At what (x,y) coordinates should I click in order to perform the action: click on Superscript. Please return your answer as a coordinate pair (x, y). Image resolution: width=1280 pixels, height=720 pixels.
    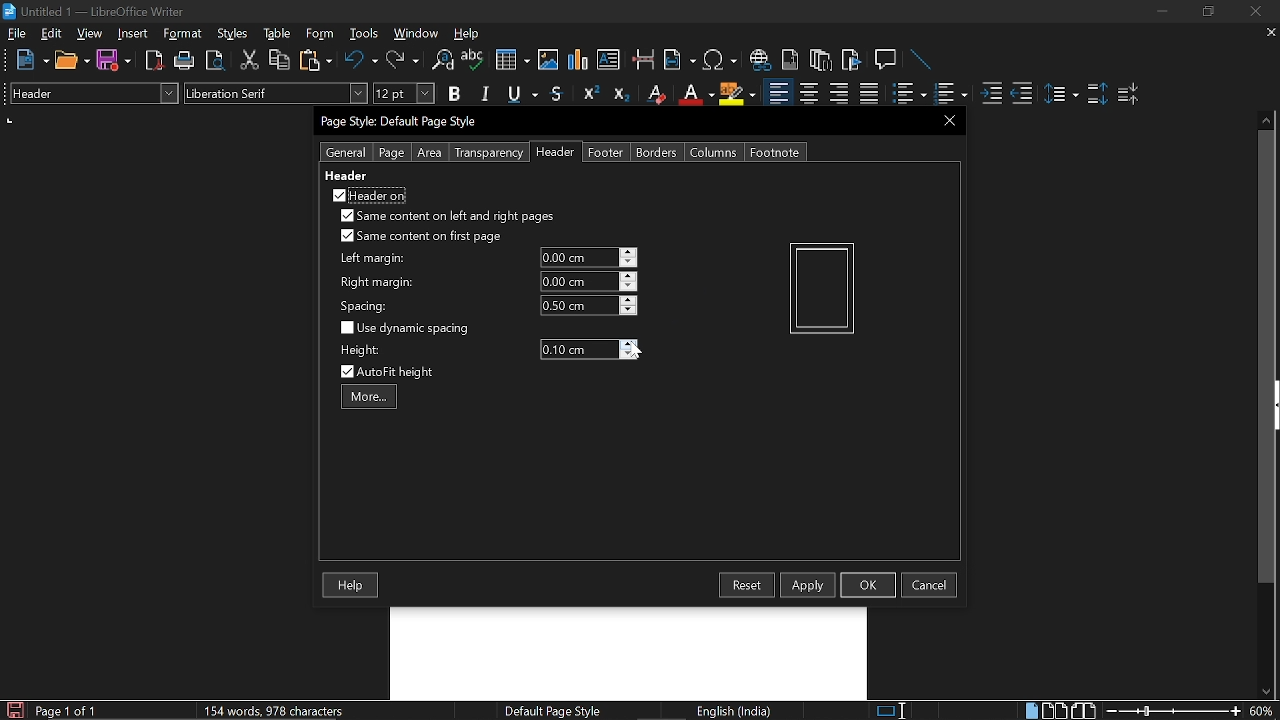
    Looking at the image, I should click on (588, 94).